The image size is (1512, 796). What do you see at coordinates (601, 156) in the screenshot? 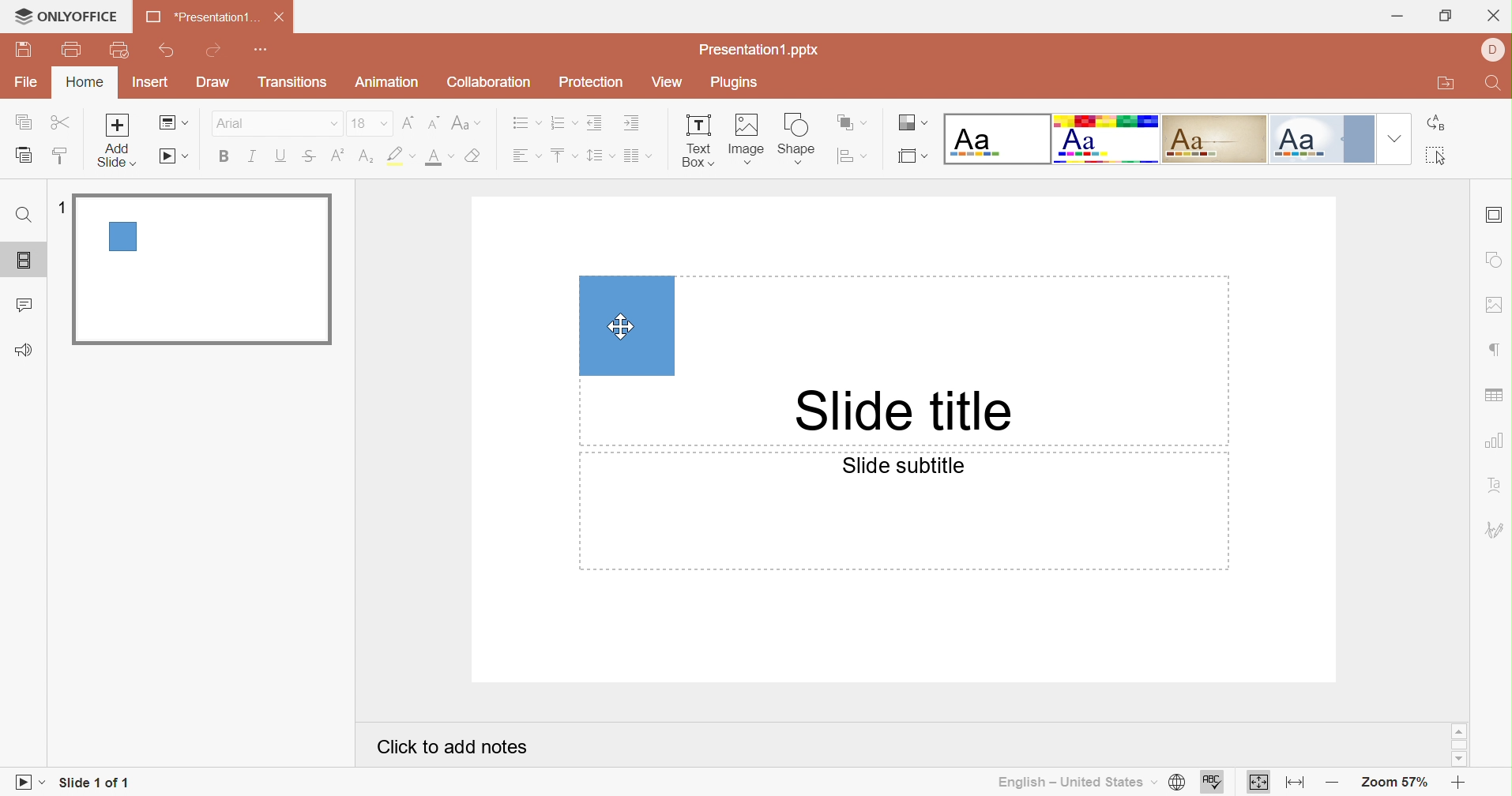
I see `Line spacing` at bounding box center [601, 156].